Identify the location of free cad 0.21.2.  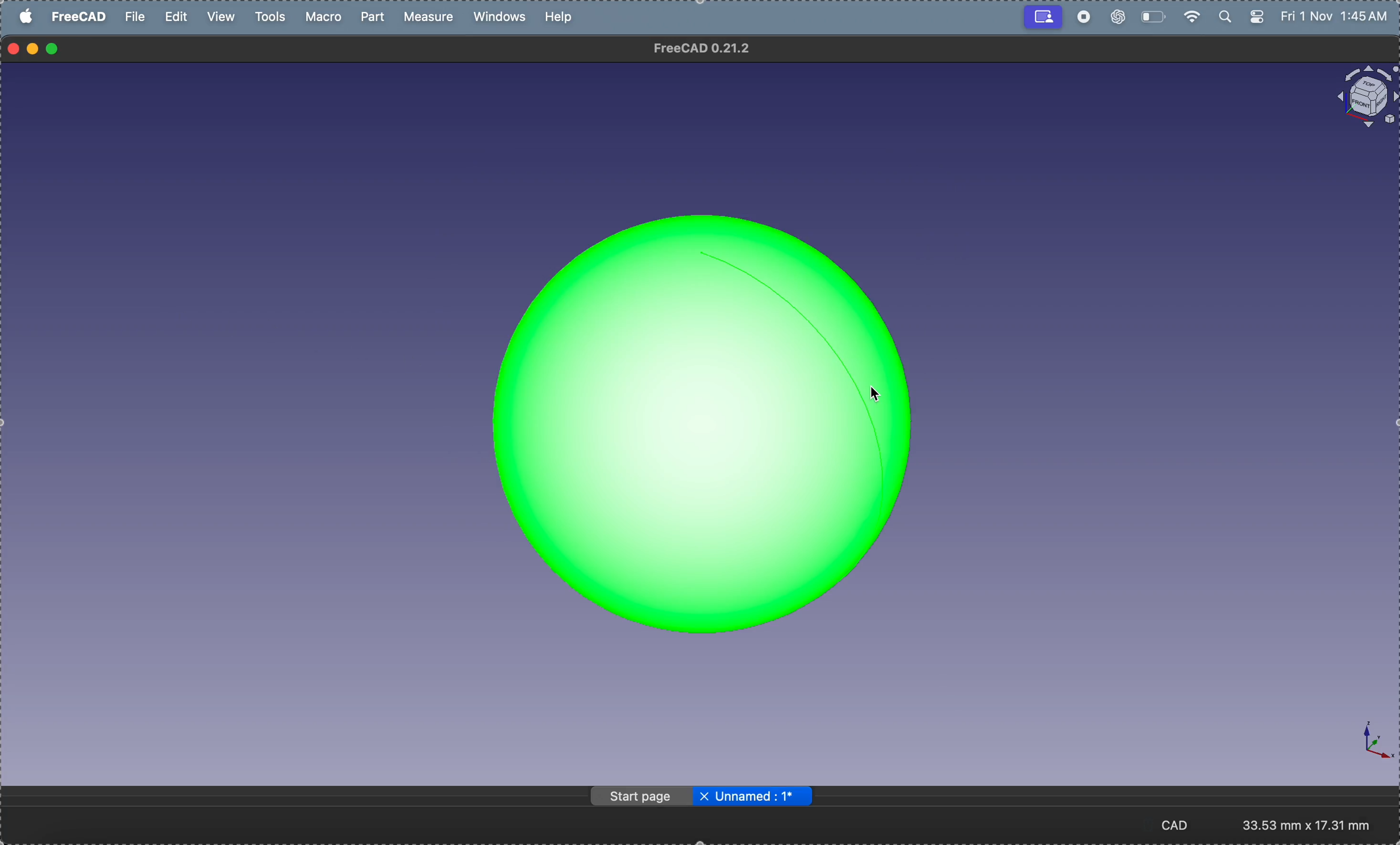
(715, 51).